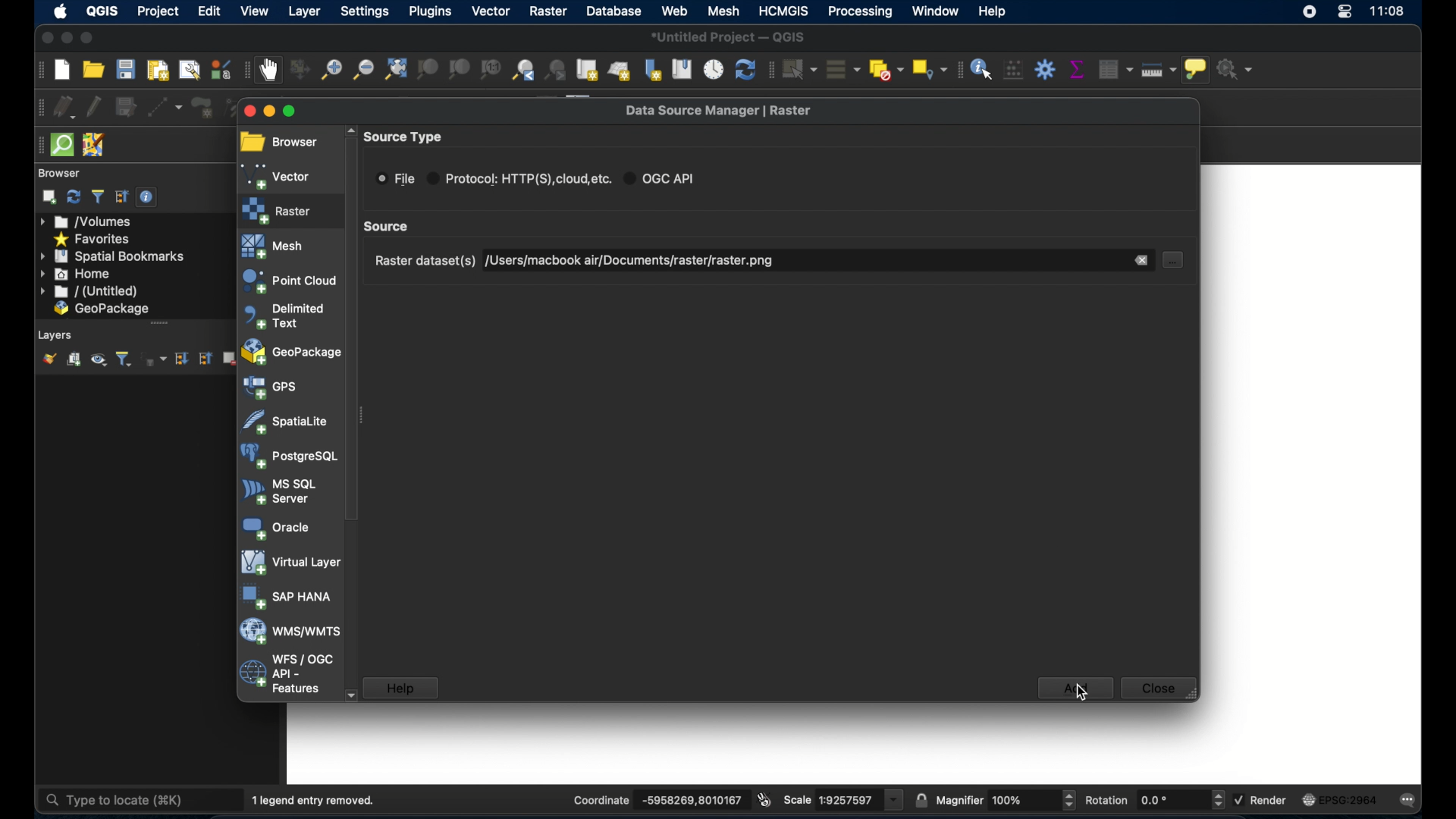  What do you see at coordinates (331, 69) in the screenshot?
I see `zoom in` at bounding box center [331, 69].